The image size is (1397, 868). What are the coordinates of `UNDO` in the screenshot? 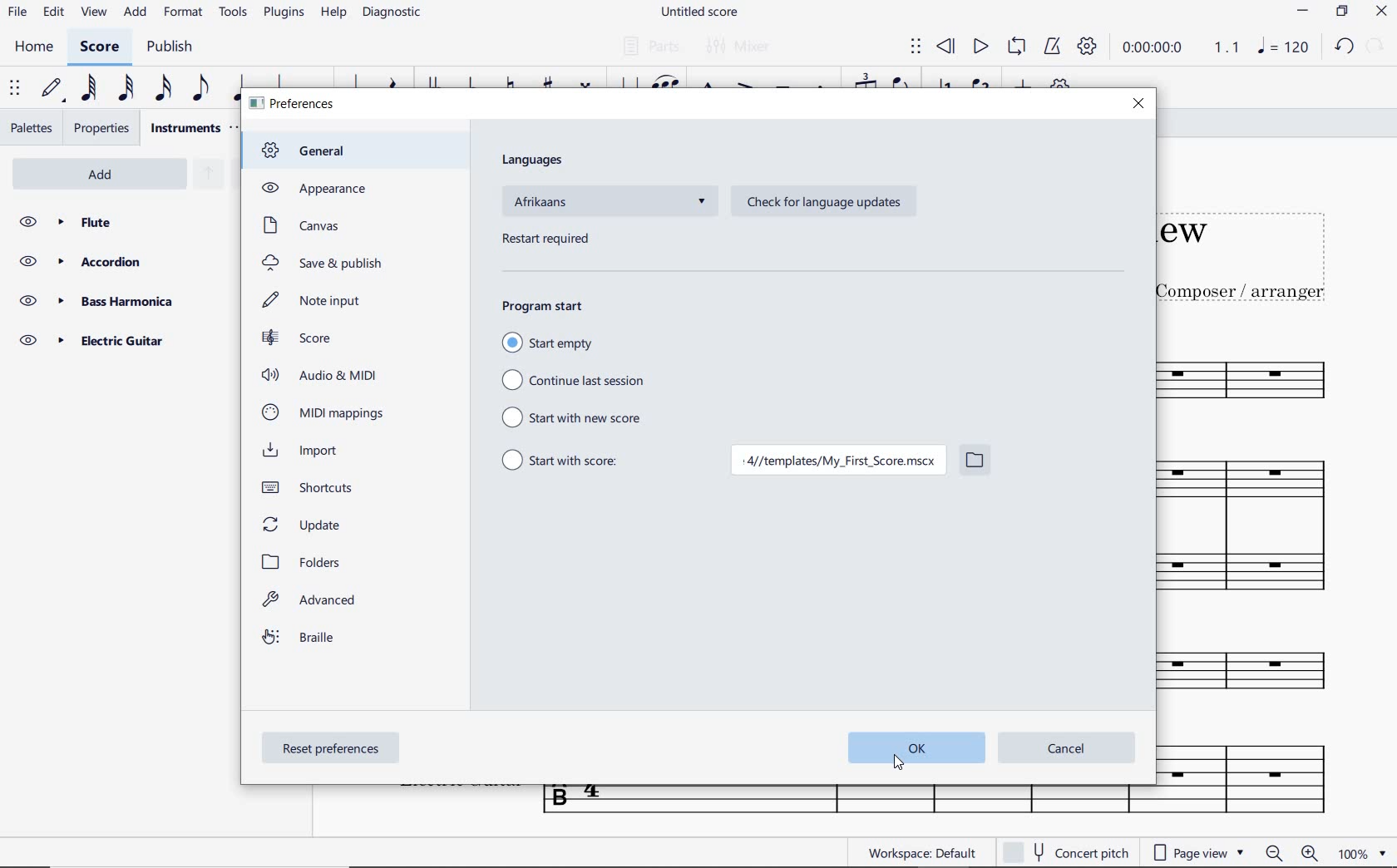 It's located at (1345, 49).